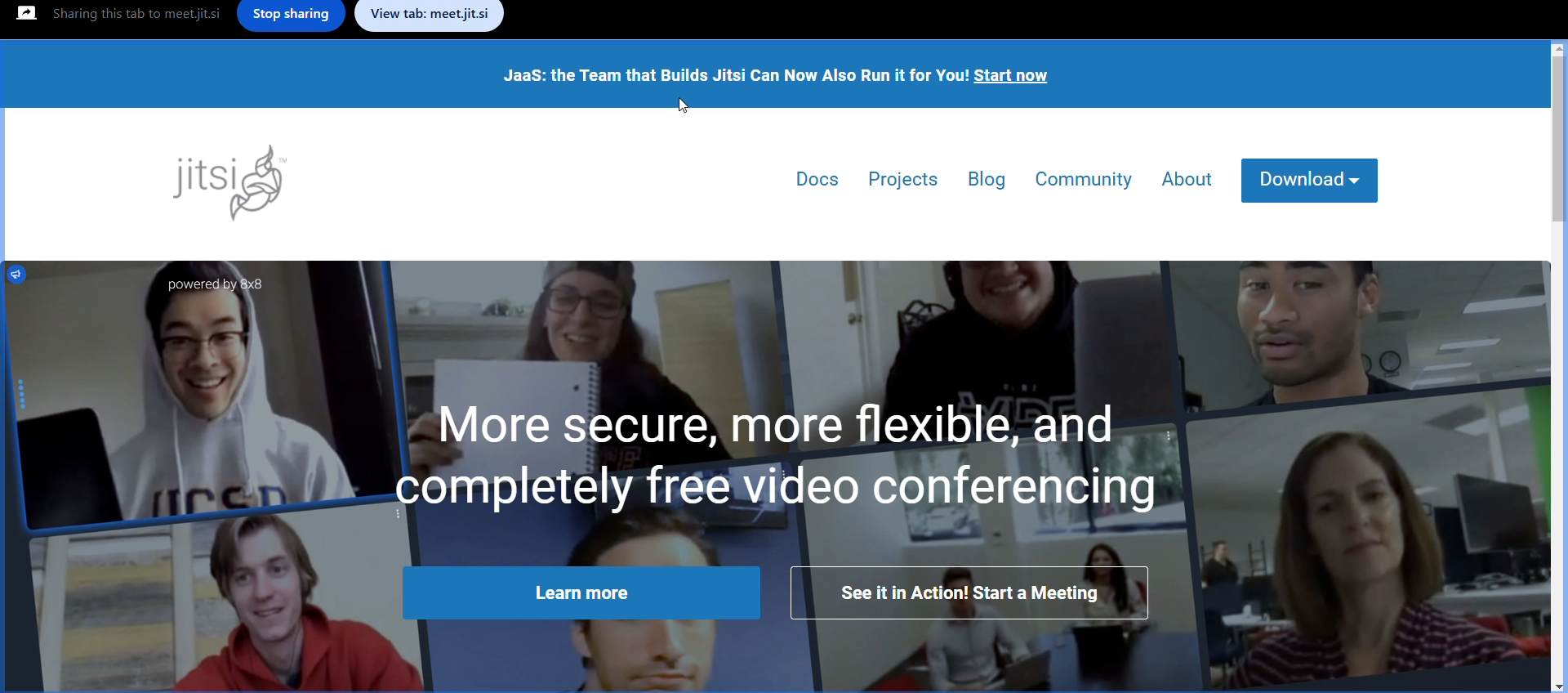 The width and height of the screenshot is (1568, 693). I want to click on Redirected Web Page Information, so click(786, 368).